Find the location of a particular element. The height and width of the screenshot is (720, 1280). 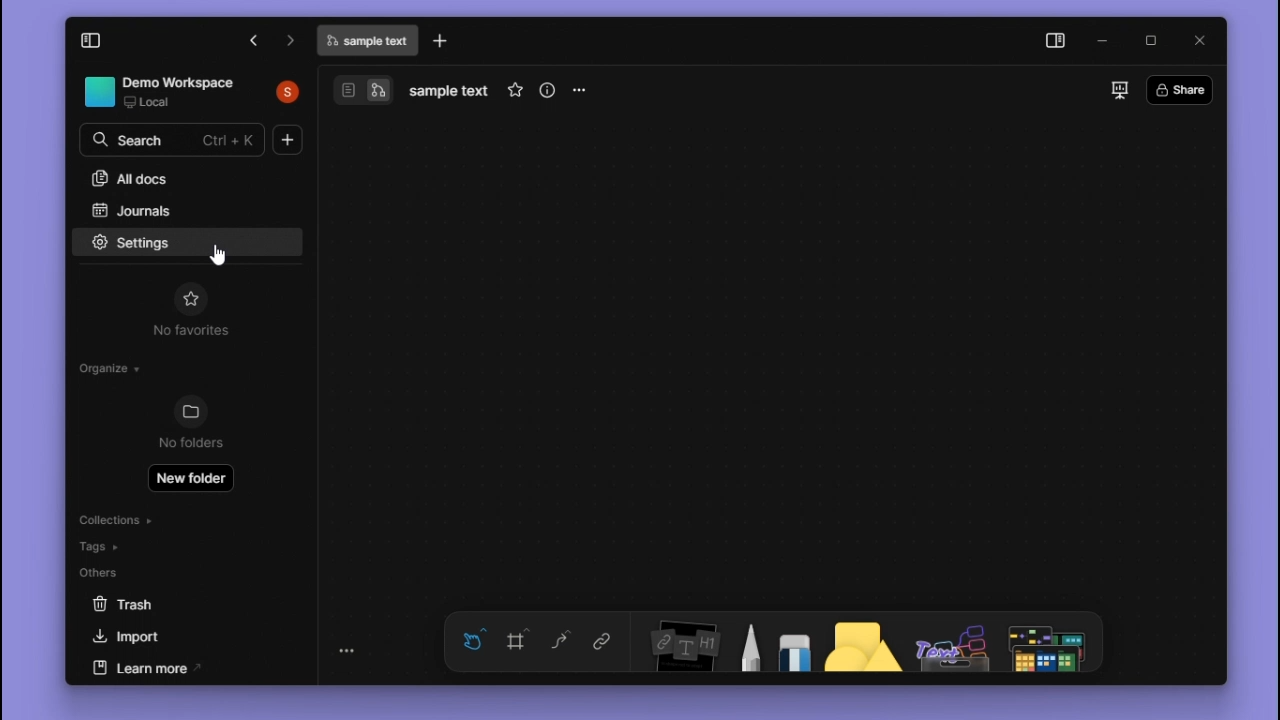

filename text is located at coordinates (366, 41).